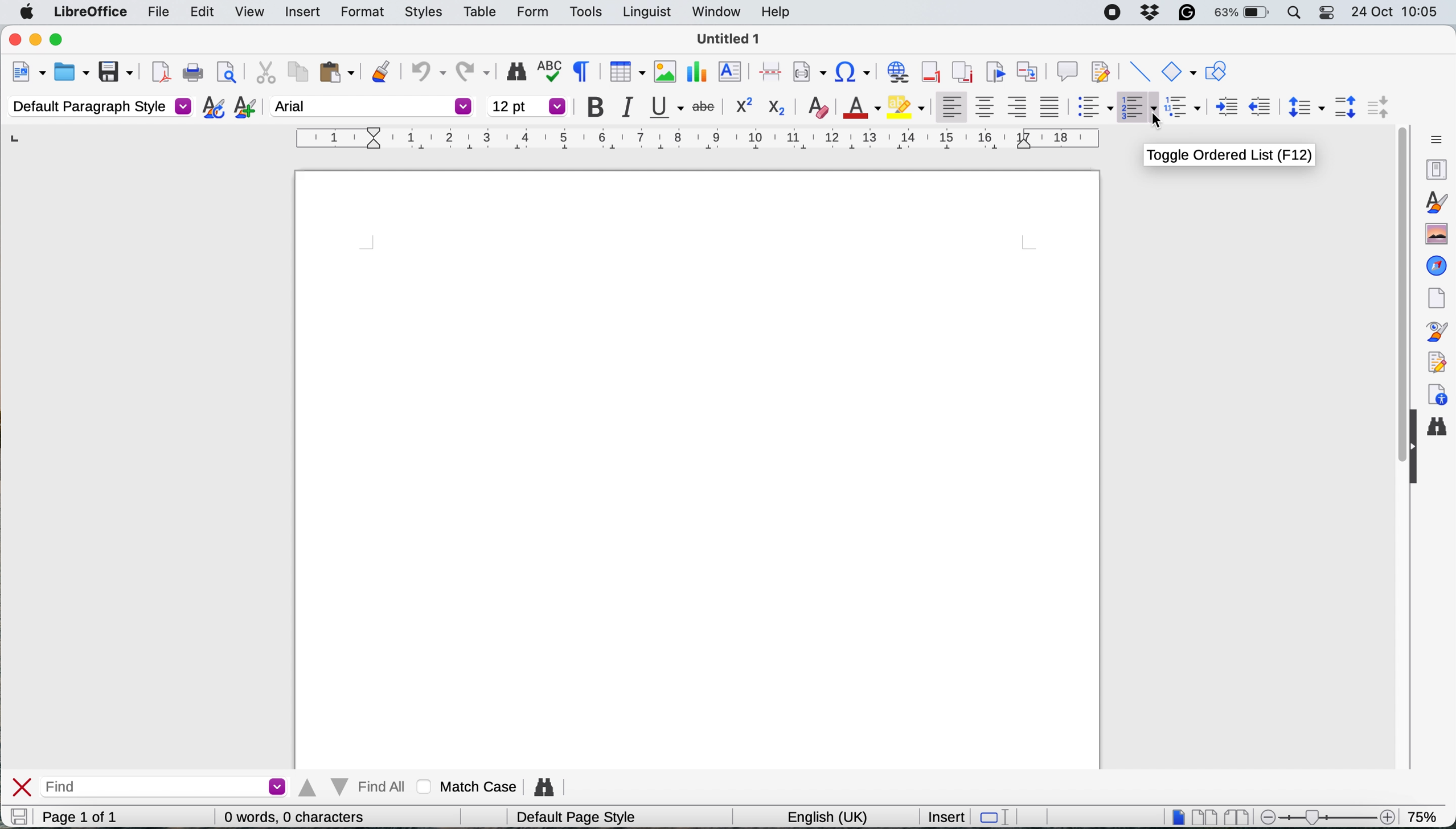 This screenshot has height=829, width=1456. I want to click on insert text, so click(732, 72).